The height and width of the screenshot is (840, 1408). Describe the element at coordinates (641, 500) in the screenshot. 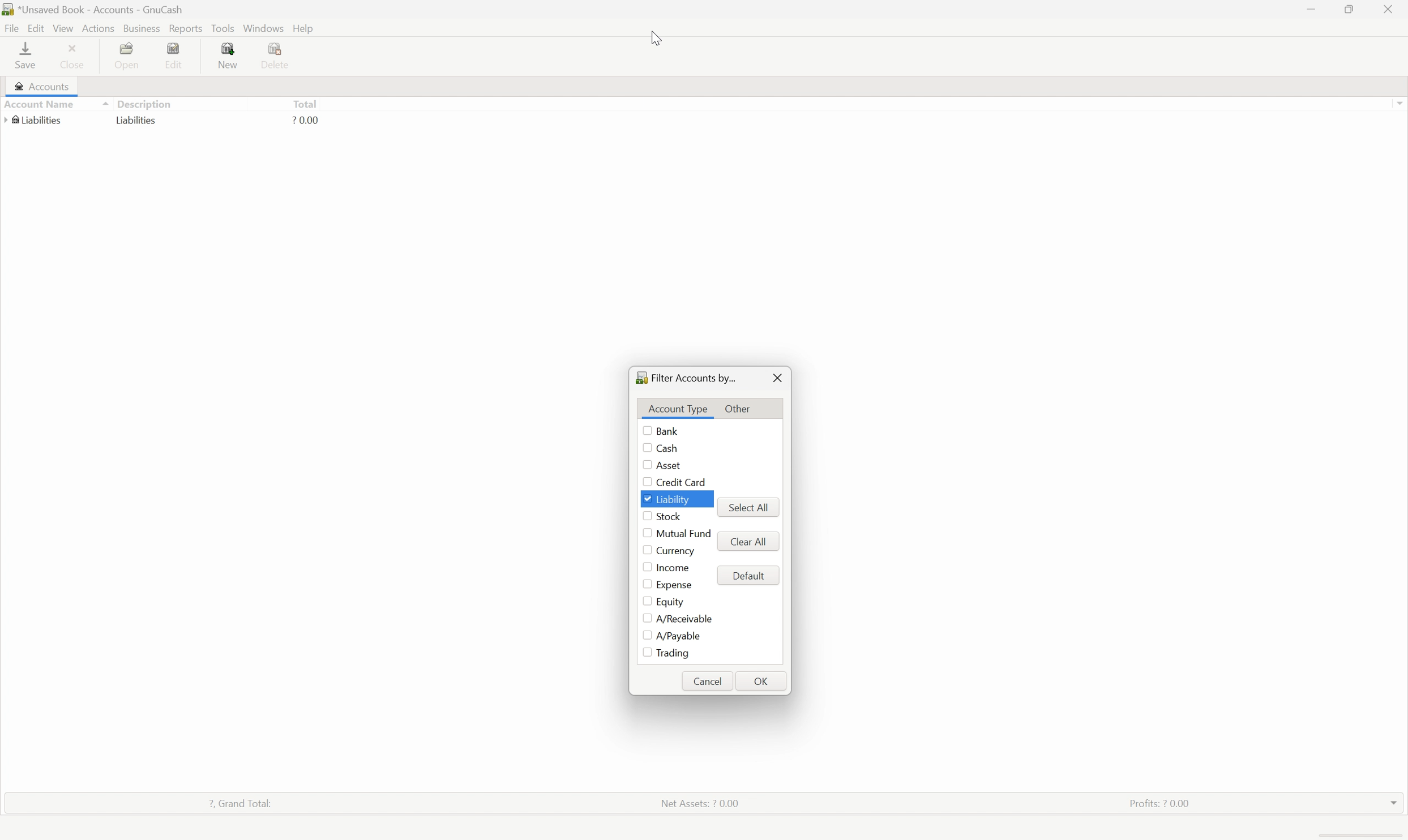

I see `Checkbox` at that location.